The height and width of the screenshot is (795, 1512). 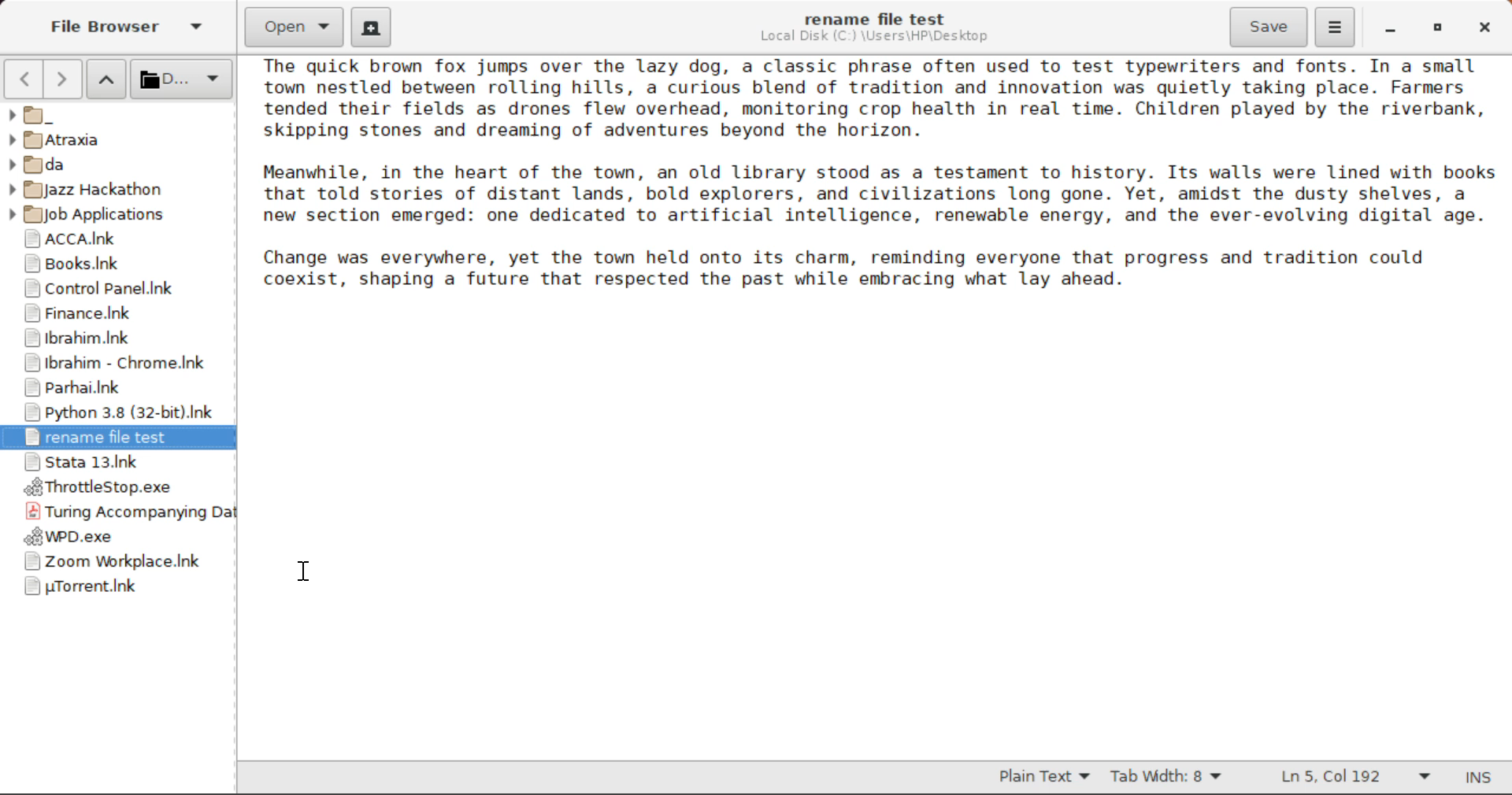 What do you see at coordinates (1166, 778) in the screenshot?
I see `Tab Width ` at bounding box center [1166, 778].